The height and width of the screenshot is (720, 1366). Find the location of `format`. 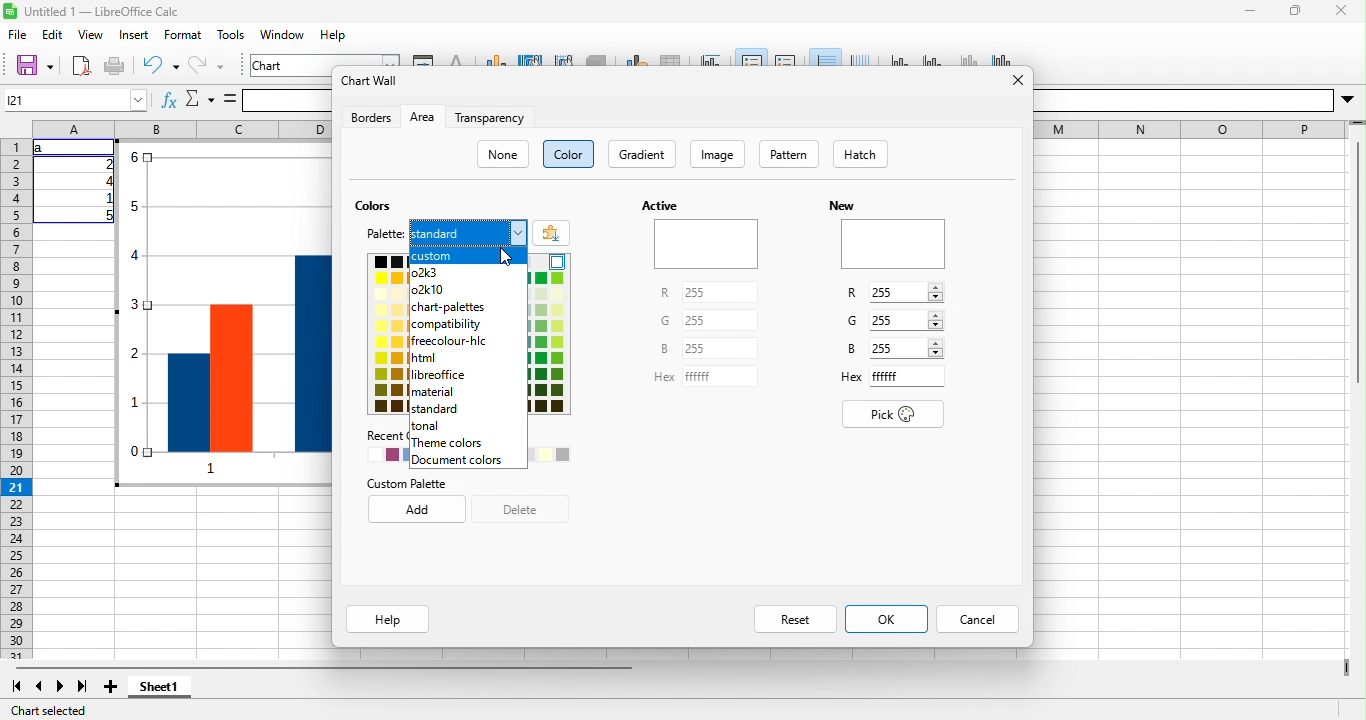

format is located at coordinates (183, 34).